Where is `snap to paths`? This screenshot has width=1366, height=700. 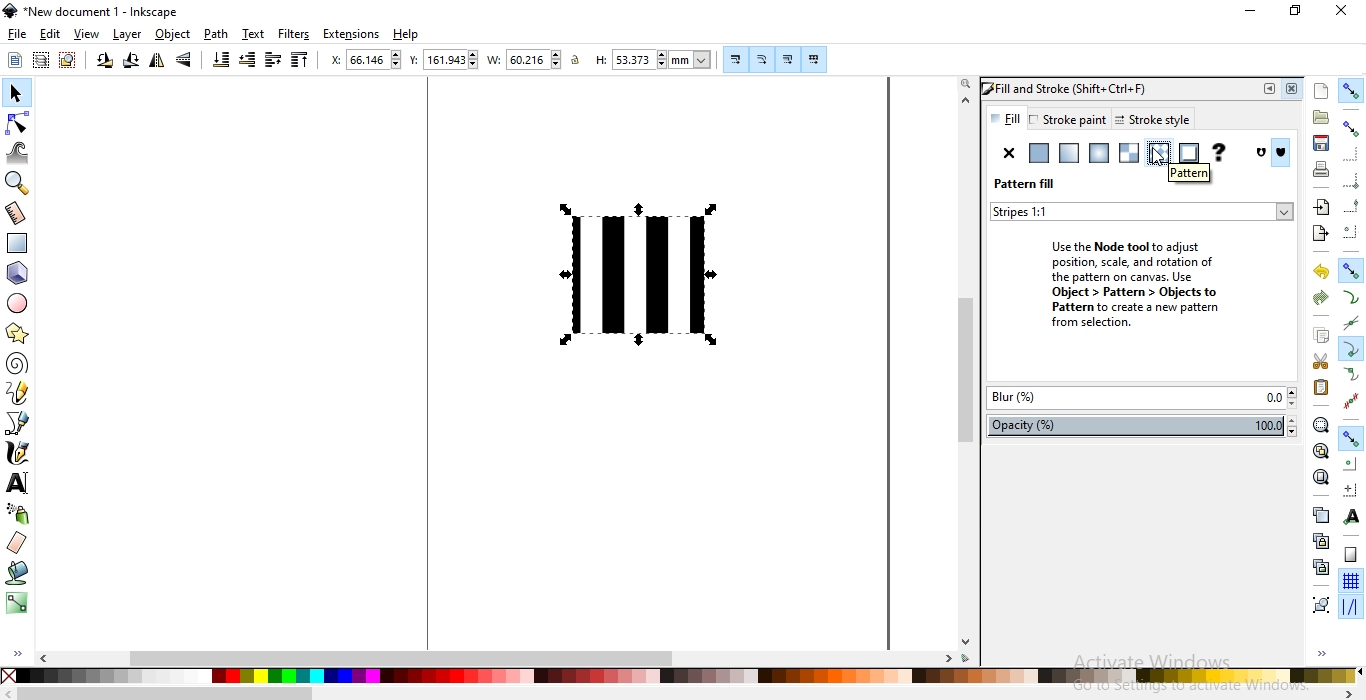 snap to paths is located at coordinates (1352, 297).